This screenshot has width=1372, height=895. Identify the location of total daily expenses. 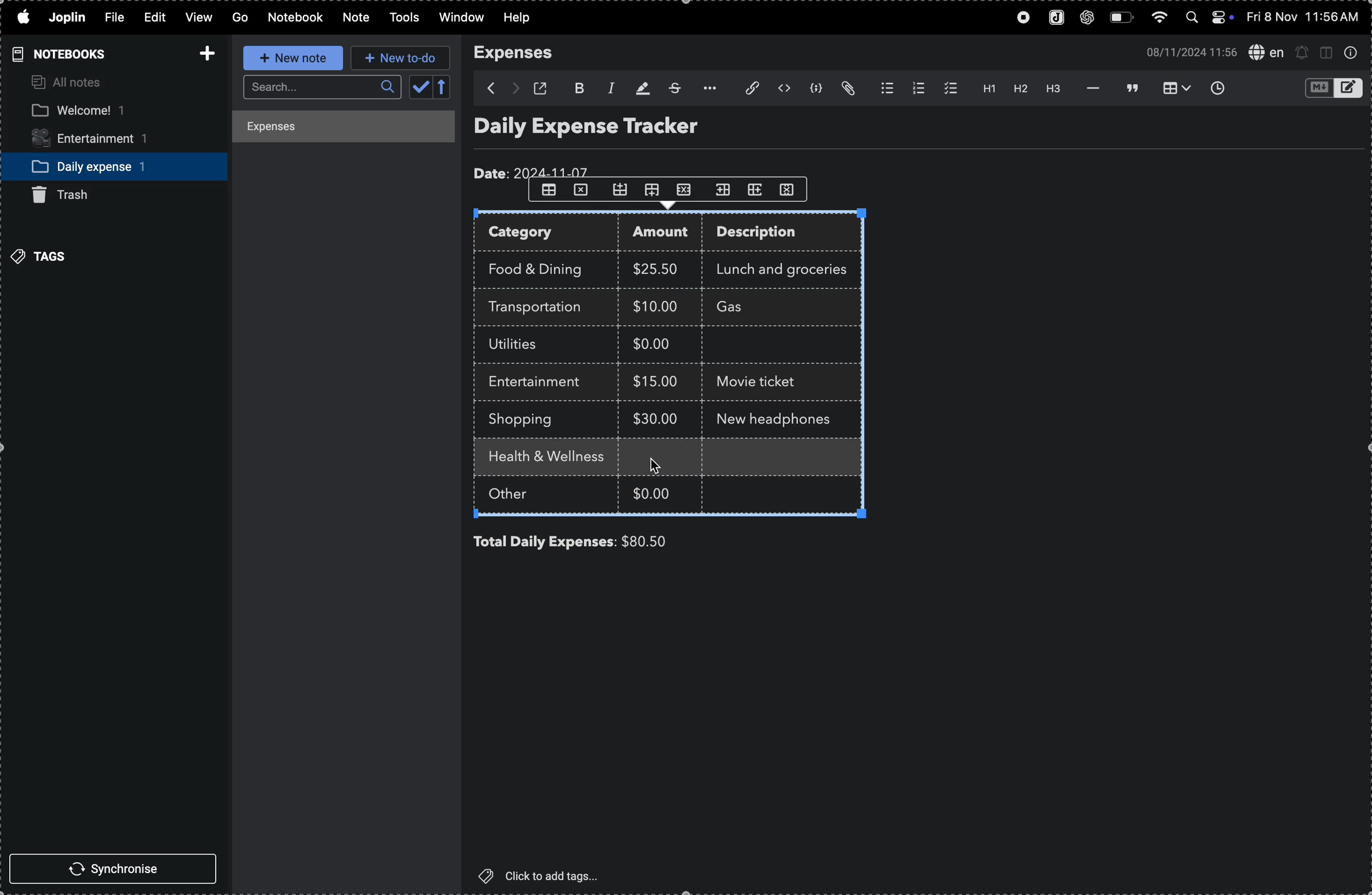
(545, 542).